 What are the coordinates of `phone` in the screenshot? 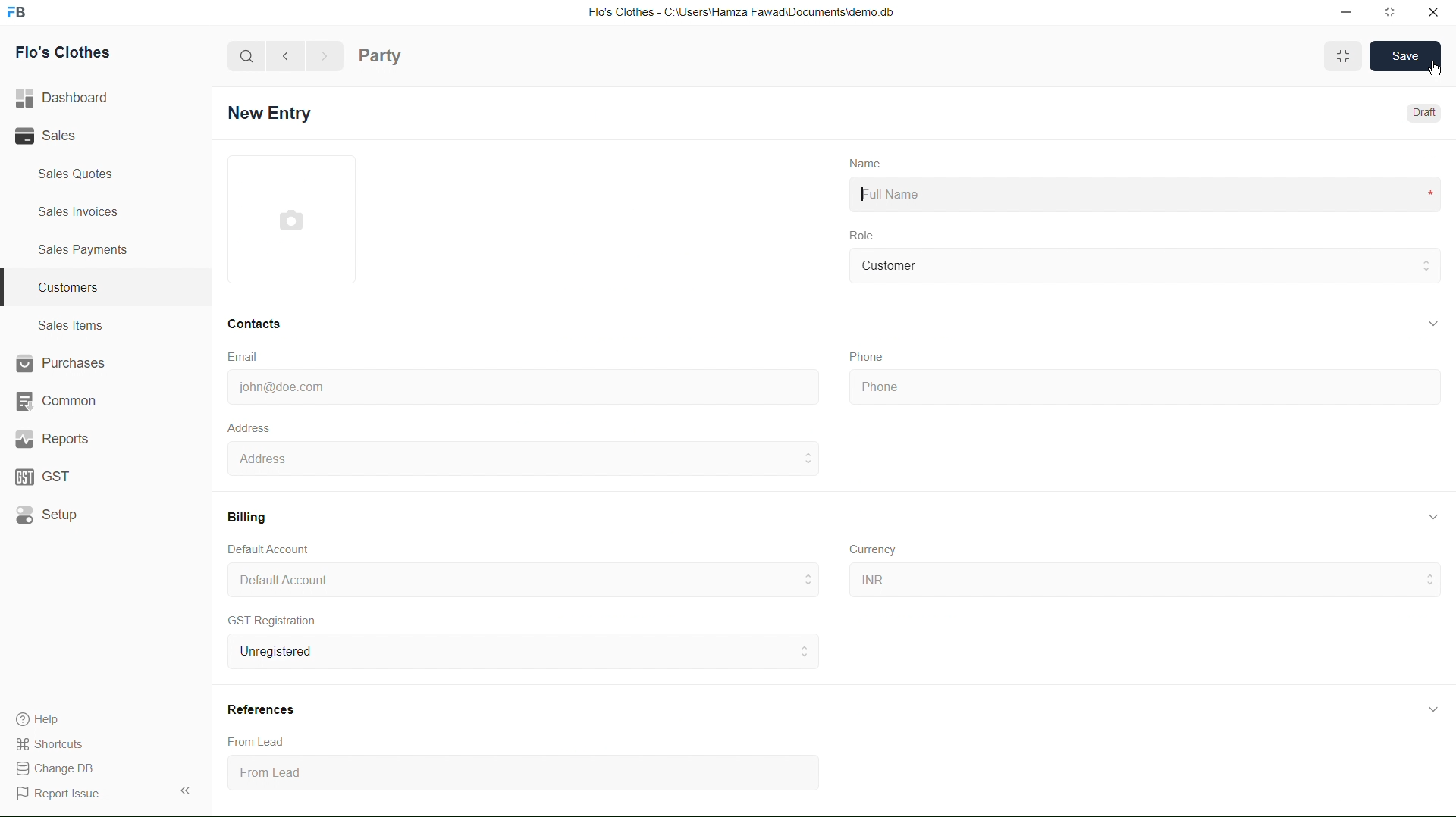 It's located at (1126, 387).